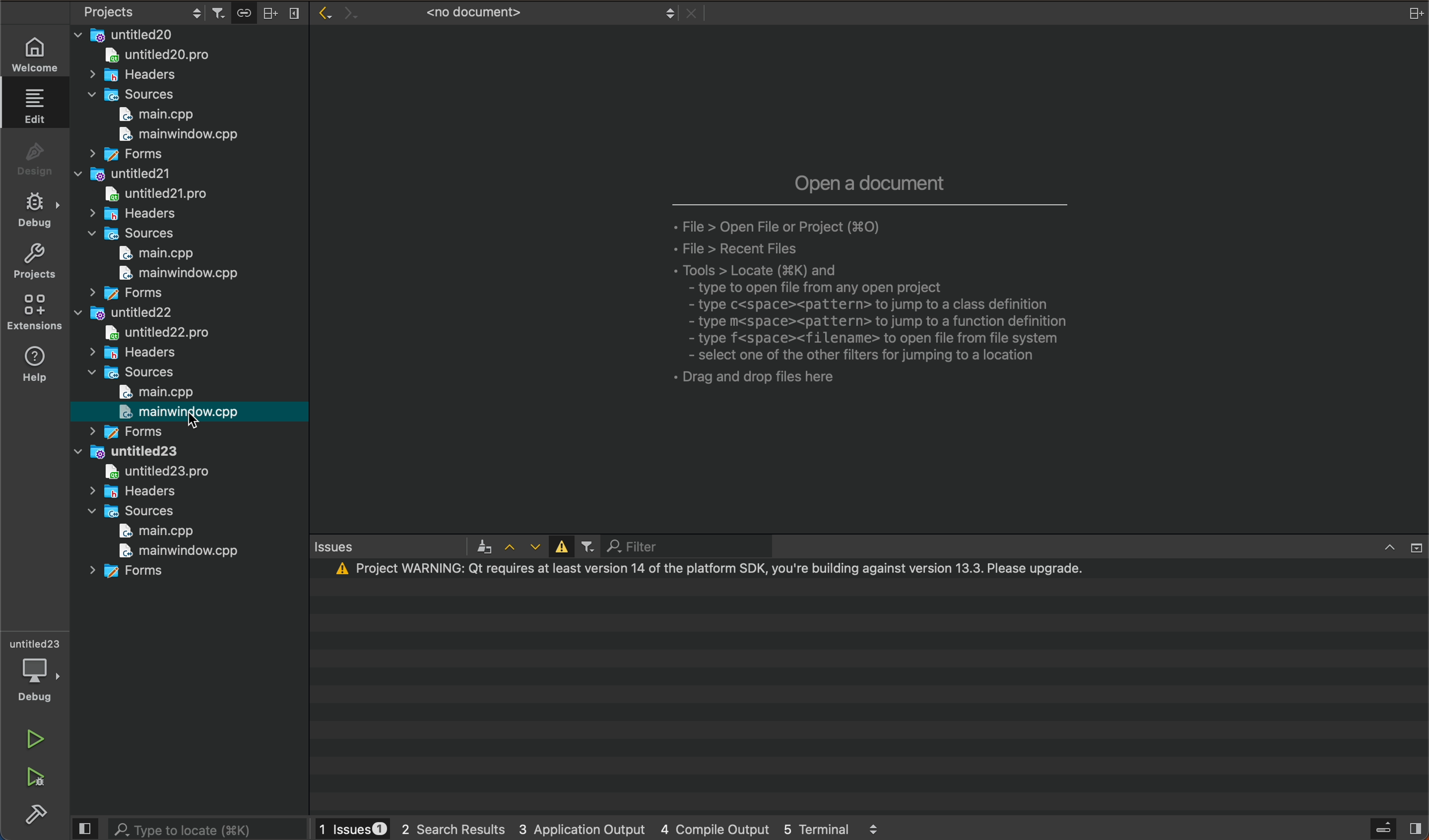 This screenshot has width=1429, height=840. What do you see at coordinates (1417, 12) in the screenshot?
I see `split` at bounding box center [1417, 12].